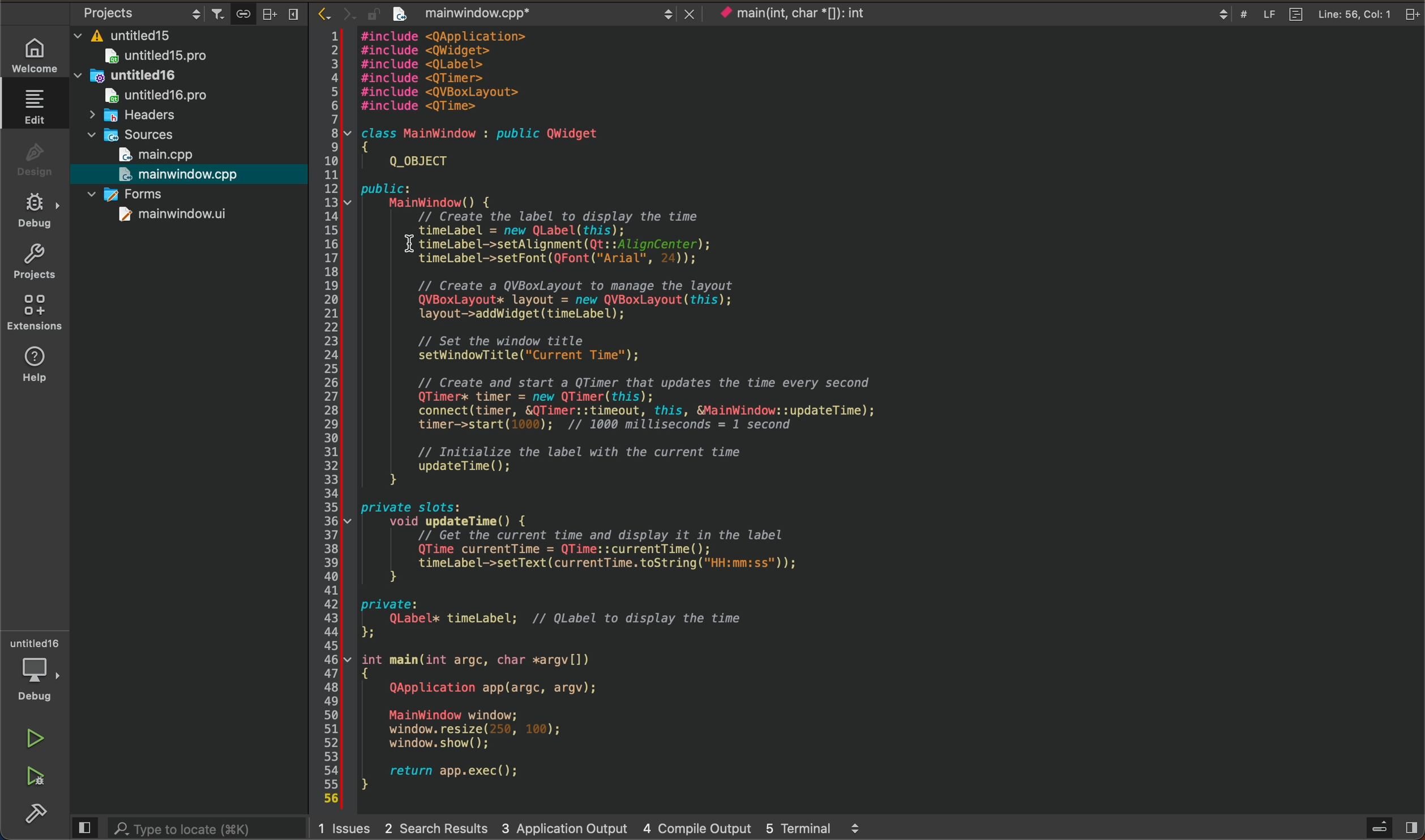 The width and height of the screenshot is (1425, 840). What do you see at coordinates (38, 779) in the screenshot?
I see `run and debug` at bounding box center [38, 779].